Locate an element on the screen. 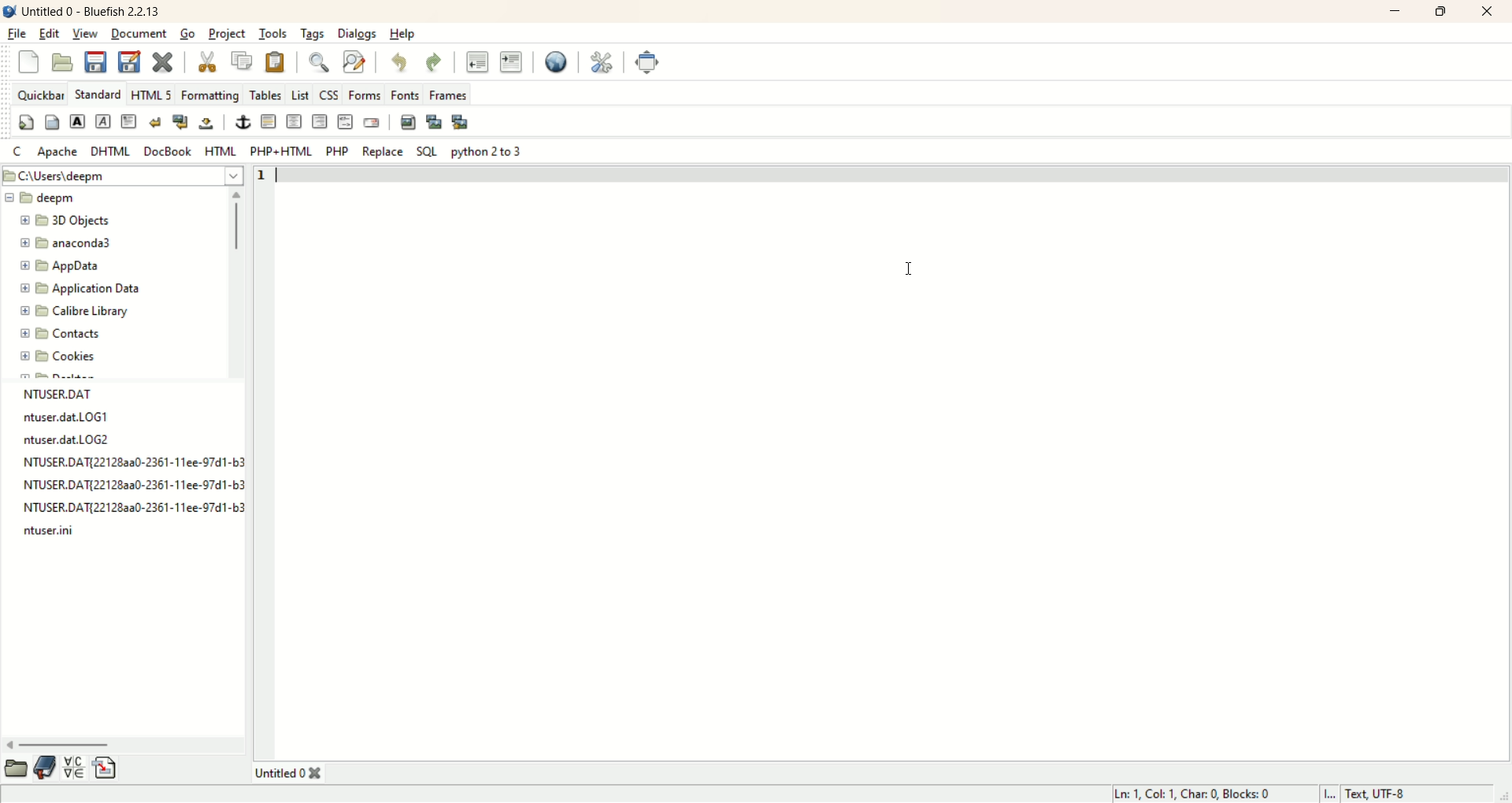 Image resolution: width=1512 pixels, height=803 pixels. save all file is located at coordinates (129, 64).